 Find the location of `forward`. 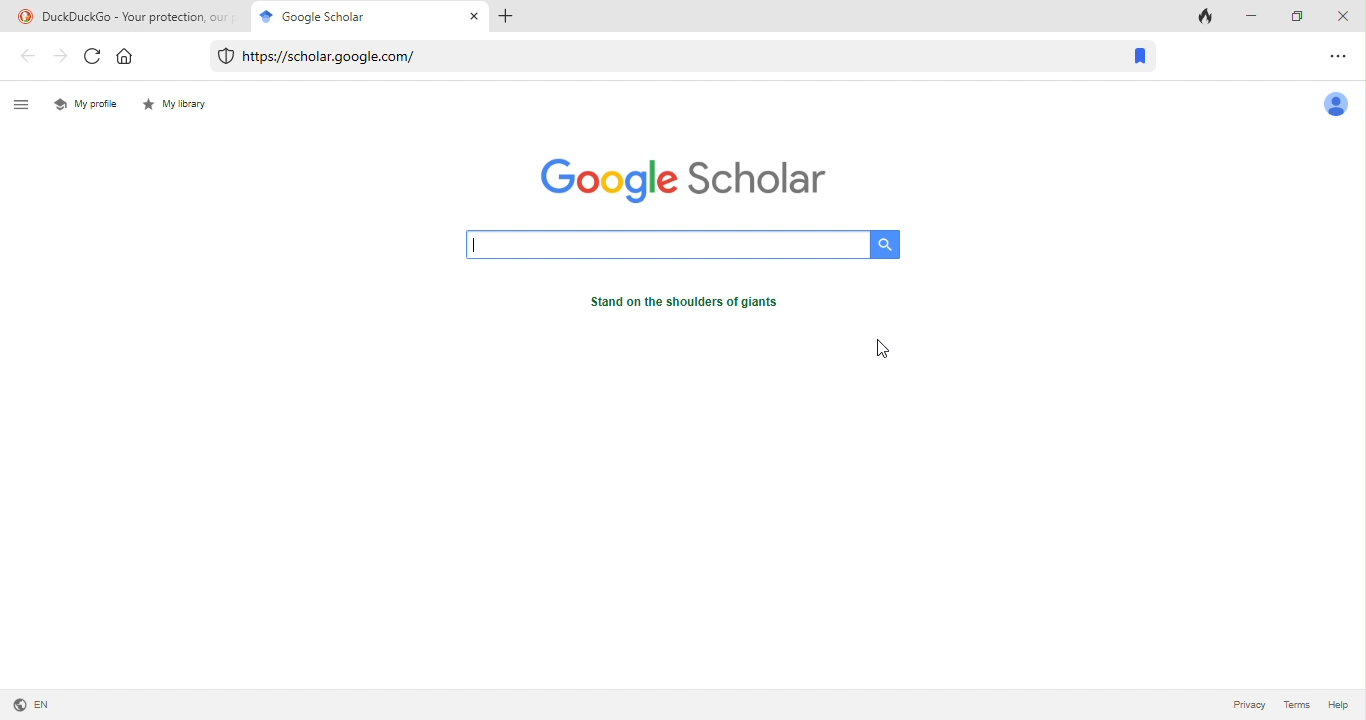

forward is located at coordinates (62, 58).